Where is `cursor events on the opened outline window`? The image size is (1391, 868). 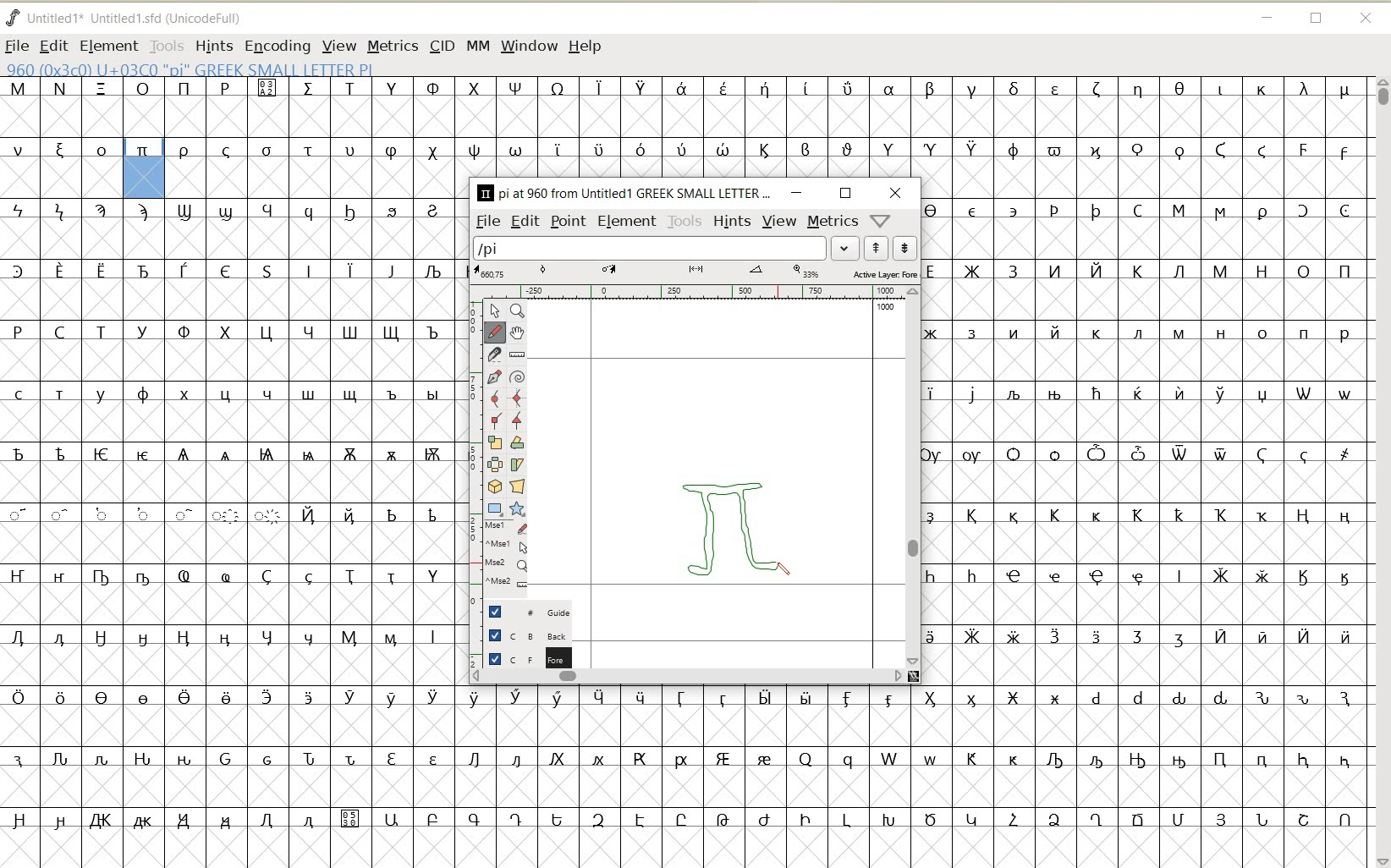
cursor events on the opened outline window is located at coordinates (499, 555).